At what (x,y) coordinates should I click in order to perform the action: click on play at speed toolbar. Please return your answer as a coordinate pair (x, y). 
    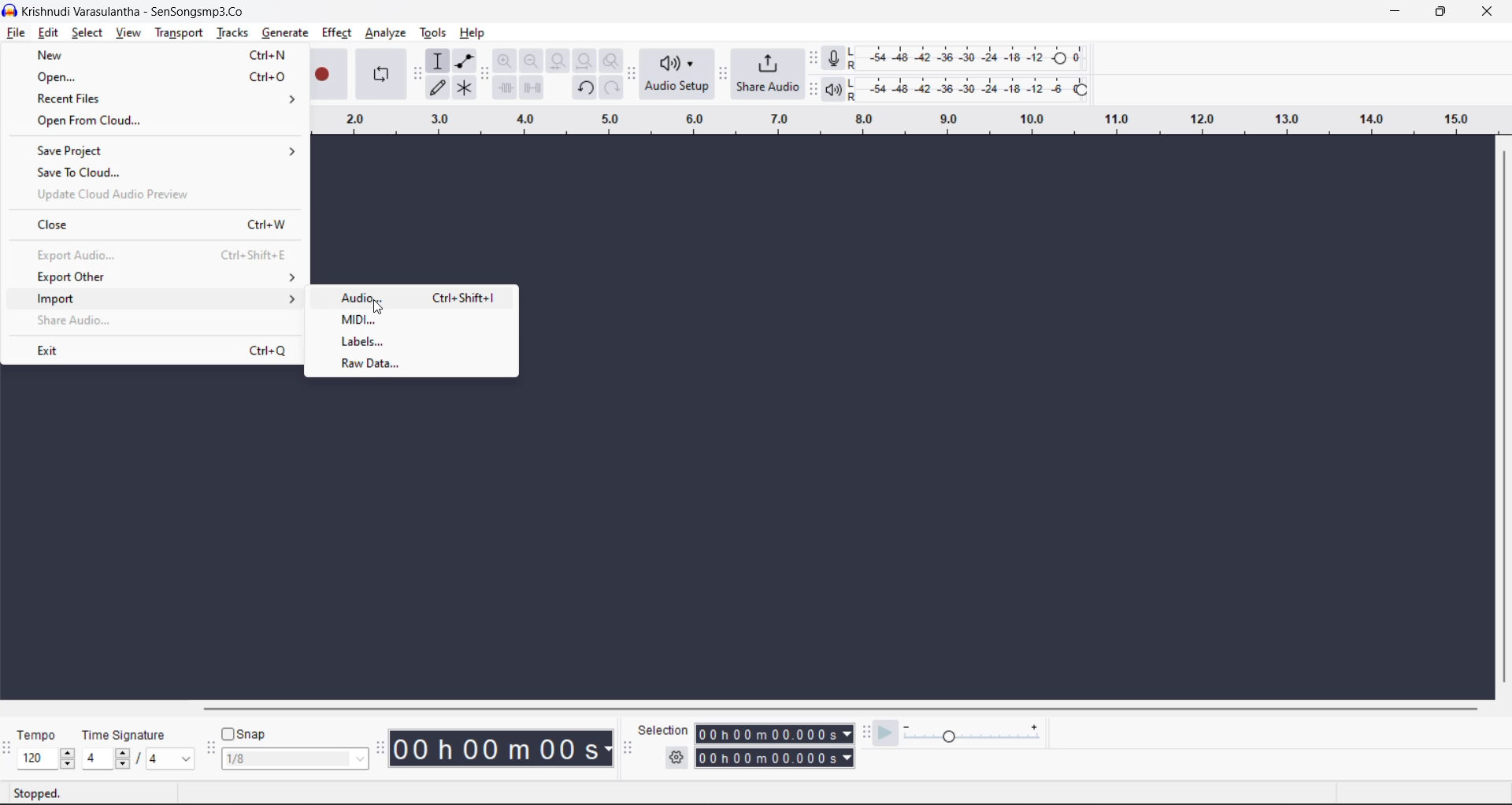
    Looking at the image, I should click on (867, 732).